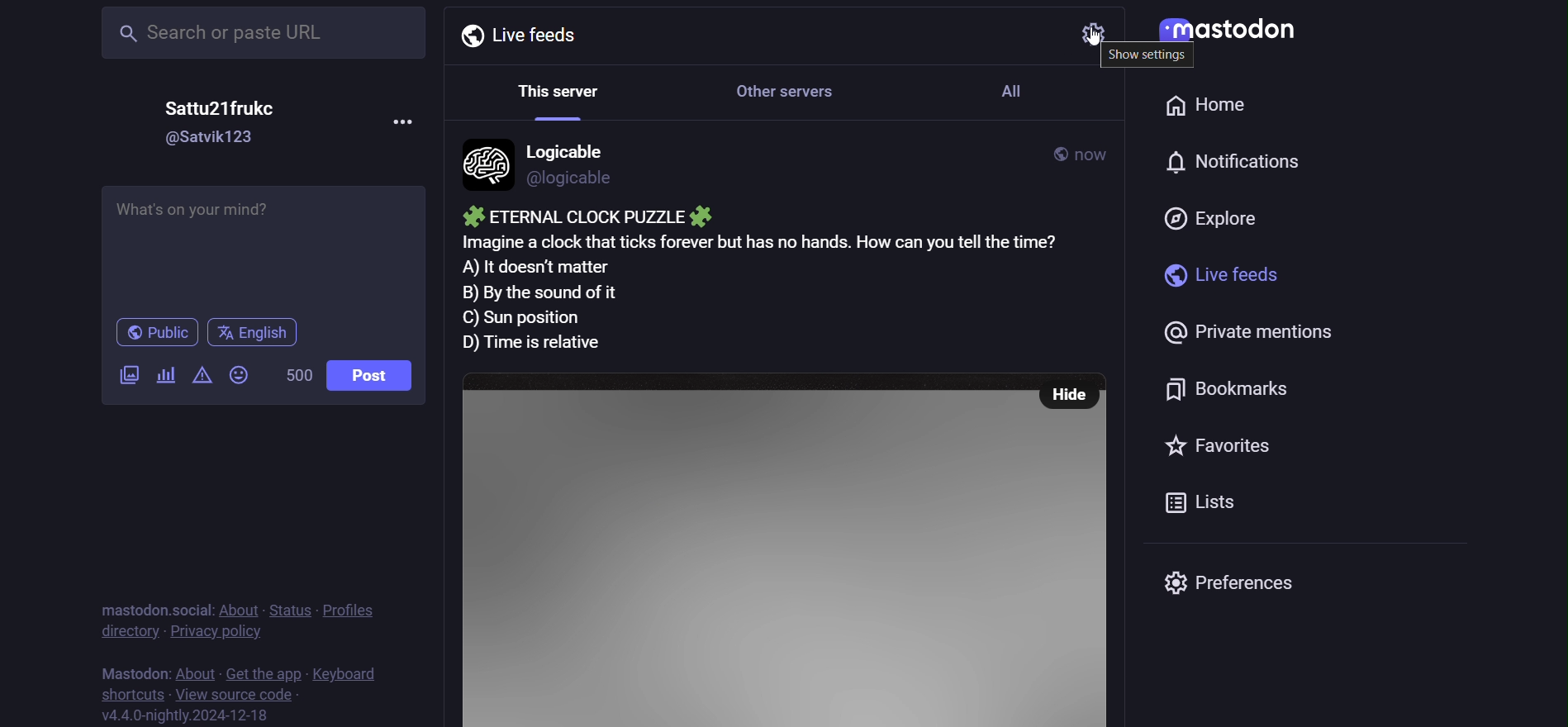 Image resolution: width=1568 pixels, height=727 pixels. What do you see at coordinates (1094, 153) in the screenshot?
I see `now` at bounding box center [1094, 153].